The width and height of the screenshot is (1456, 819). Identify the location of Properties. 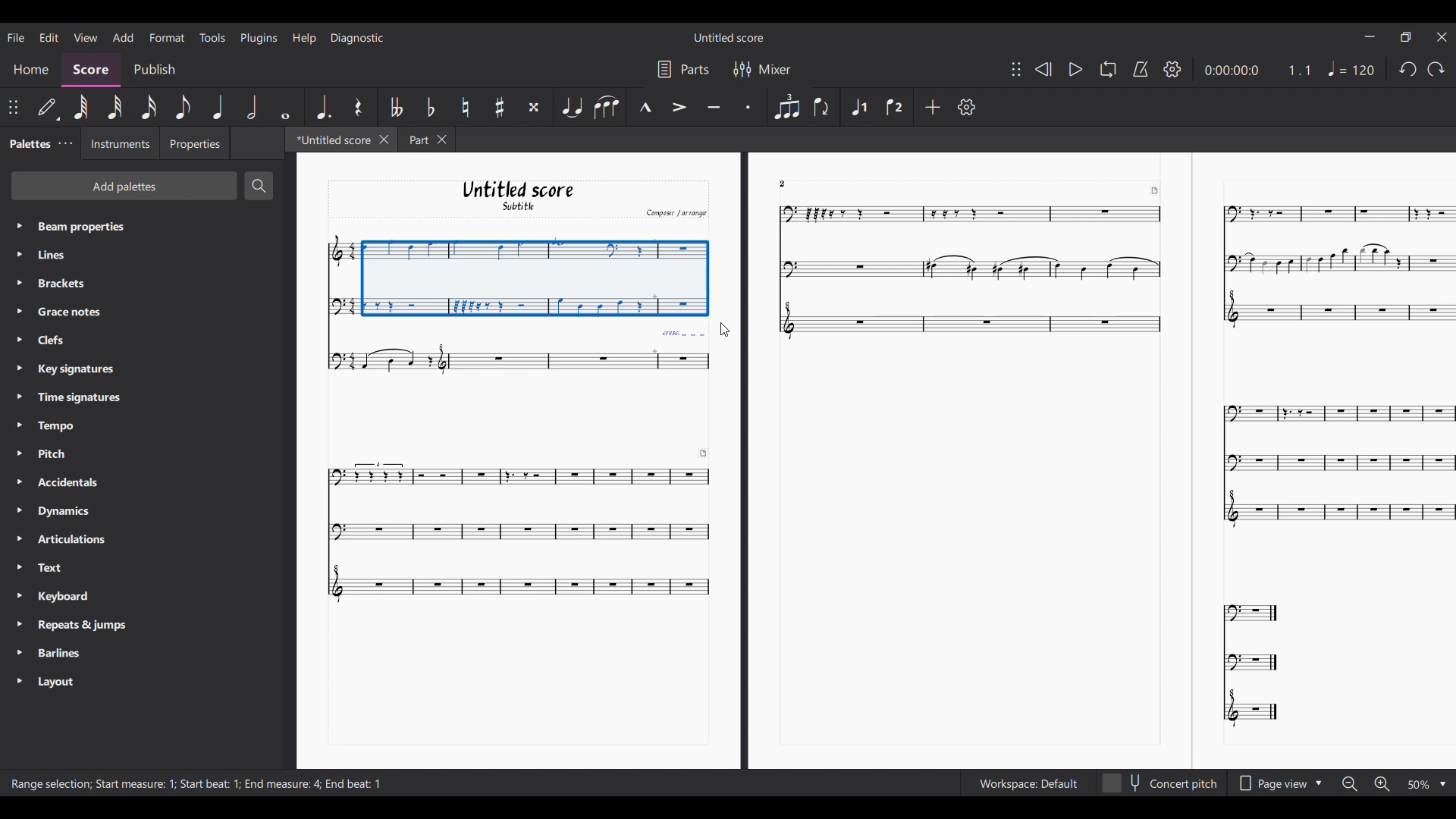
(194, 143).